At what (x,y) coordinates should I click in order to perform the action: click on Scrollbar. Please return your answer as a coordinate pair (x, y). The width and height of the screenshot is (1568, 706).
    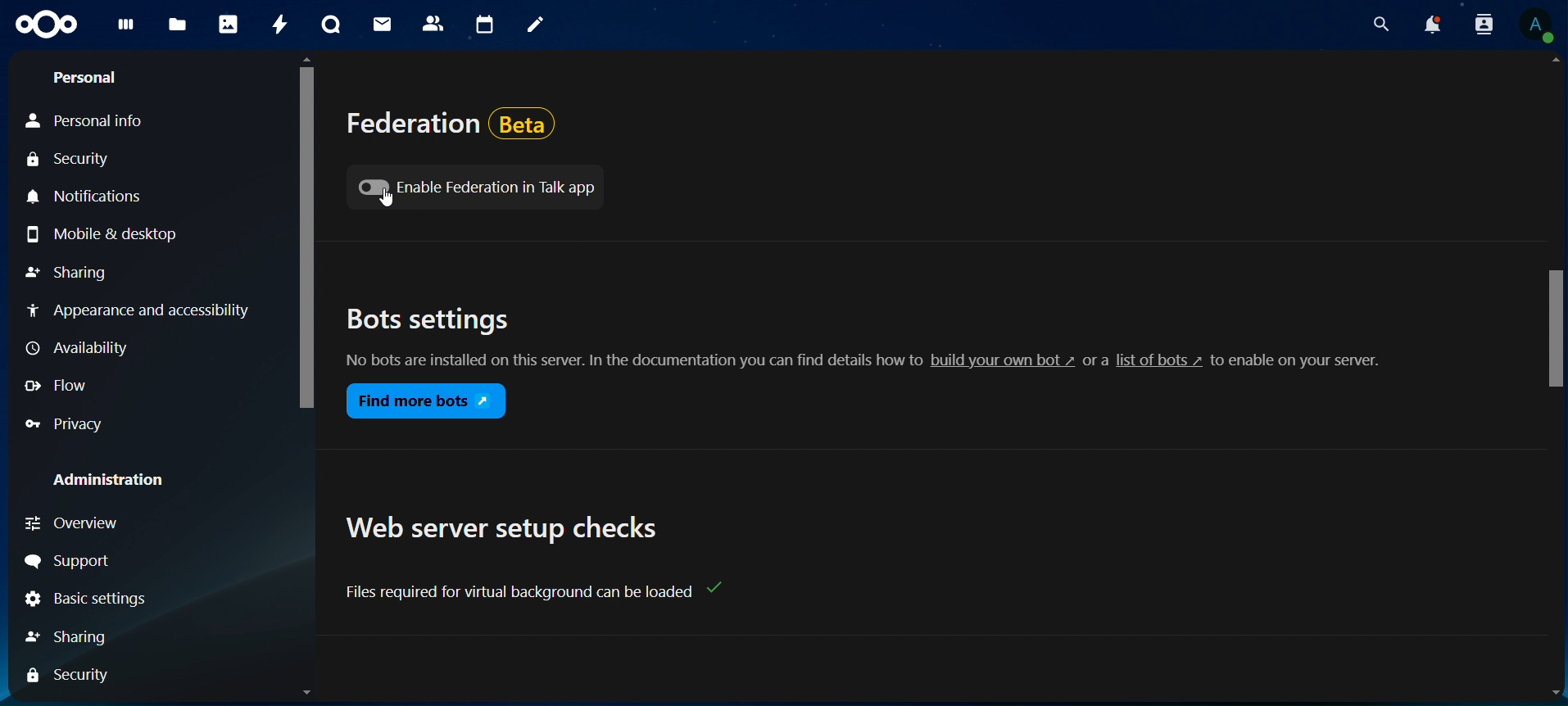
    Looking at the image, I should click on (307, 378).